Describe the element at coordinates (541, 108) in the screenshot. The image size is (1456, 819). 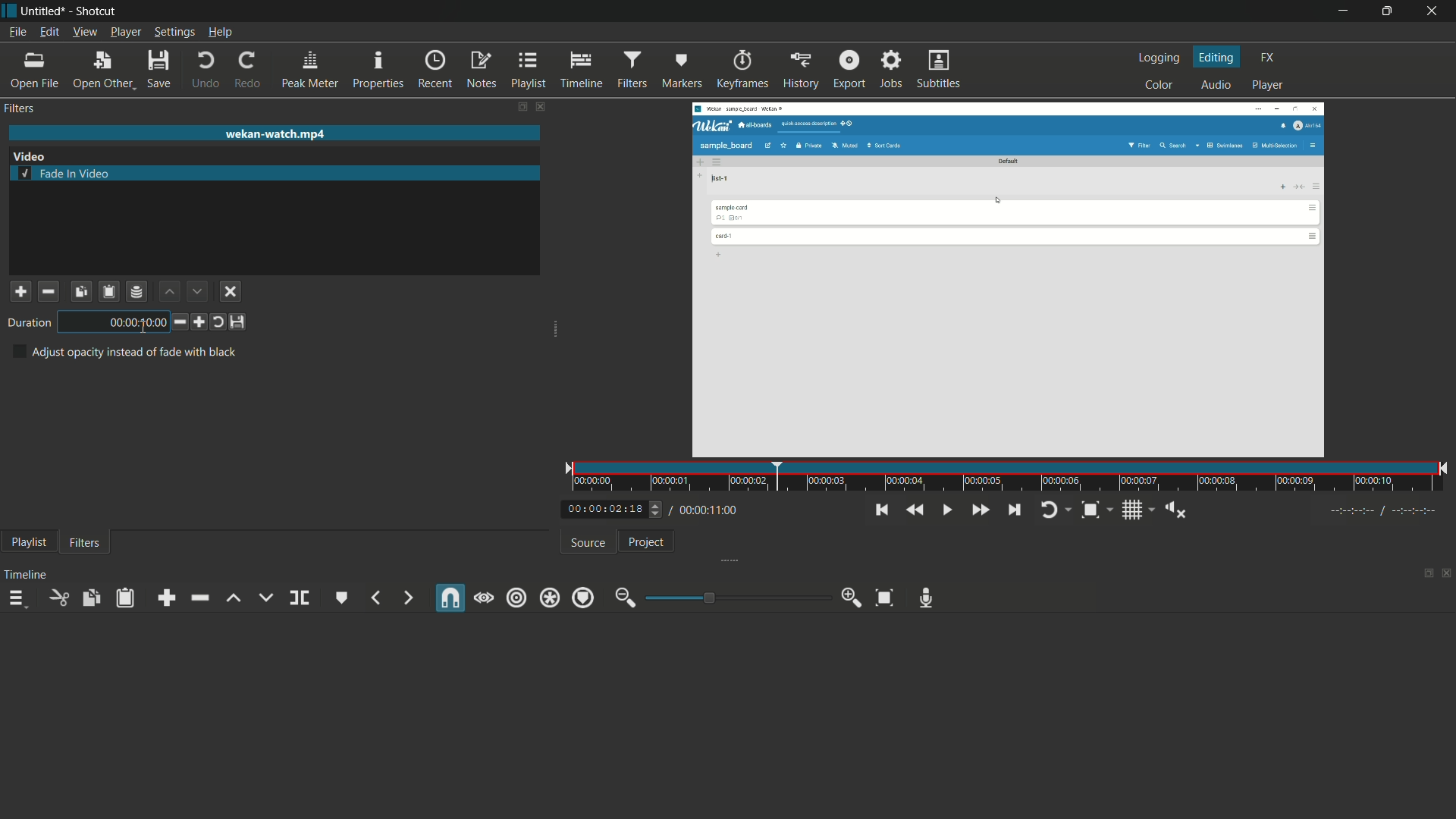
I see `close filter` at that location.